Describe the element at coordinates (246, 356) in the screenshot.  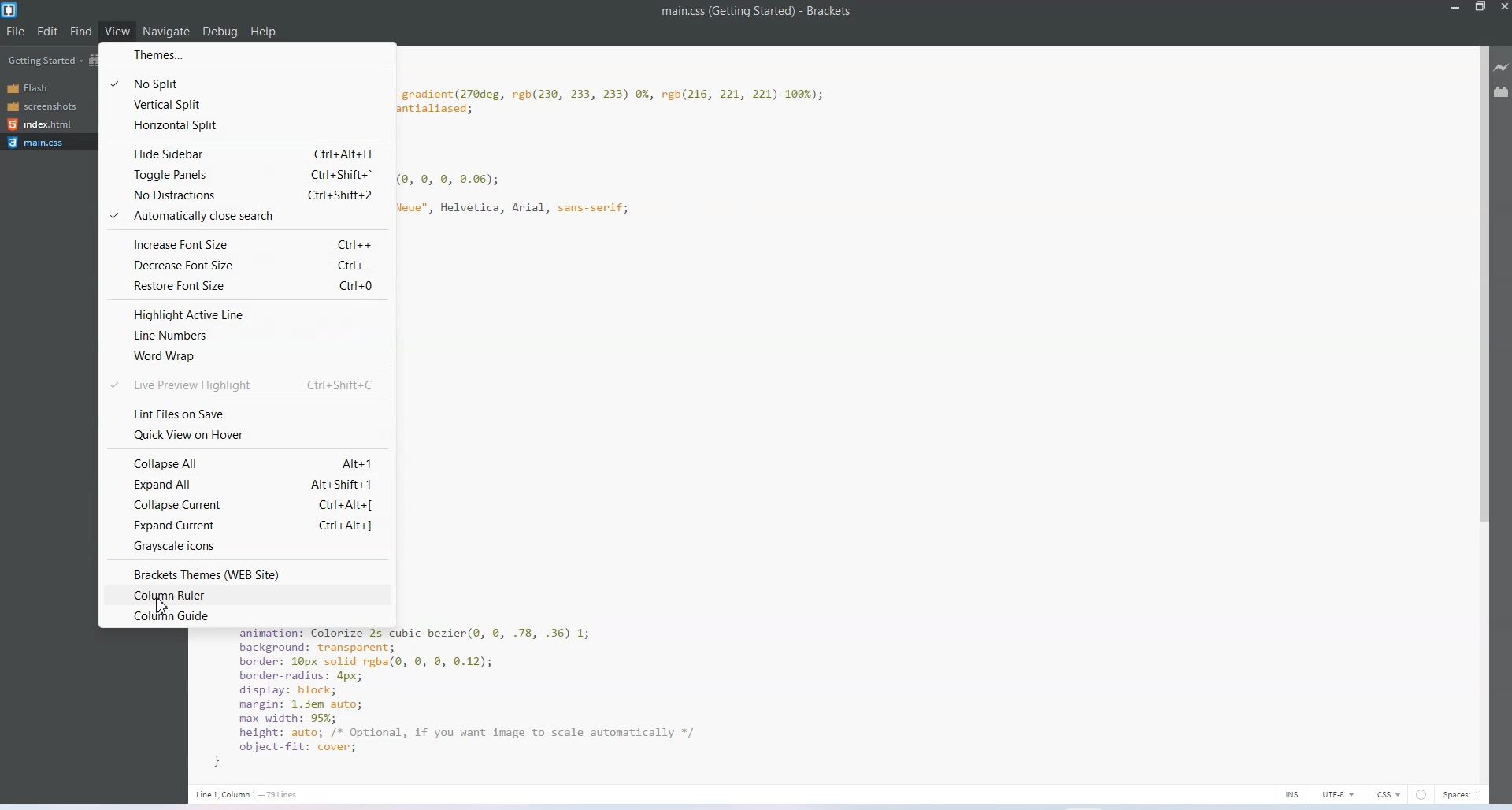
I see `Word Wrap` at that location.